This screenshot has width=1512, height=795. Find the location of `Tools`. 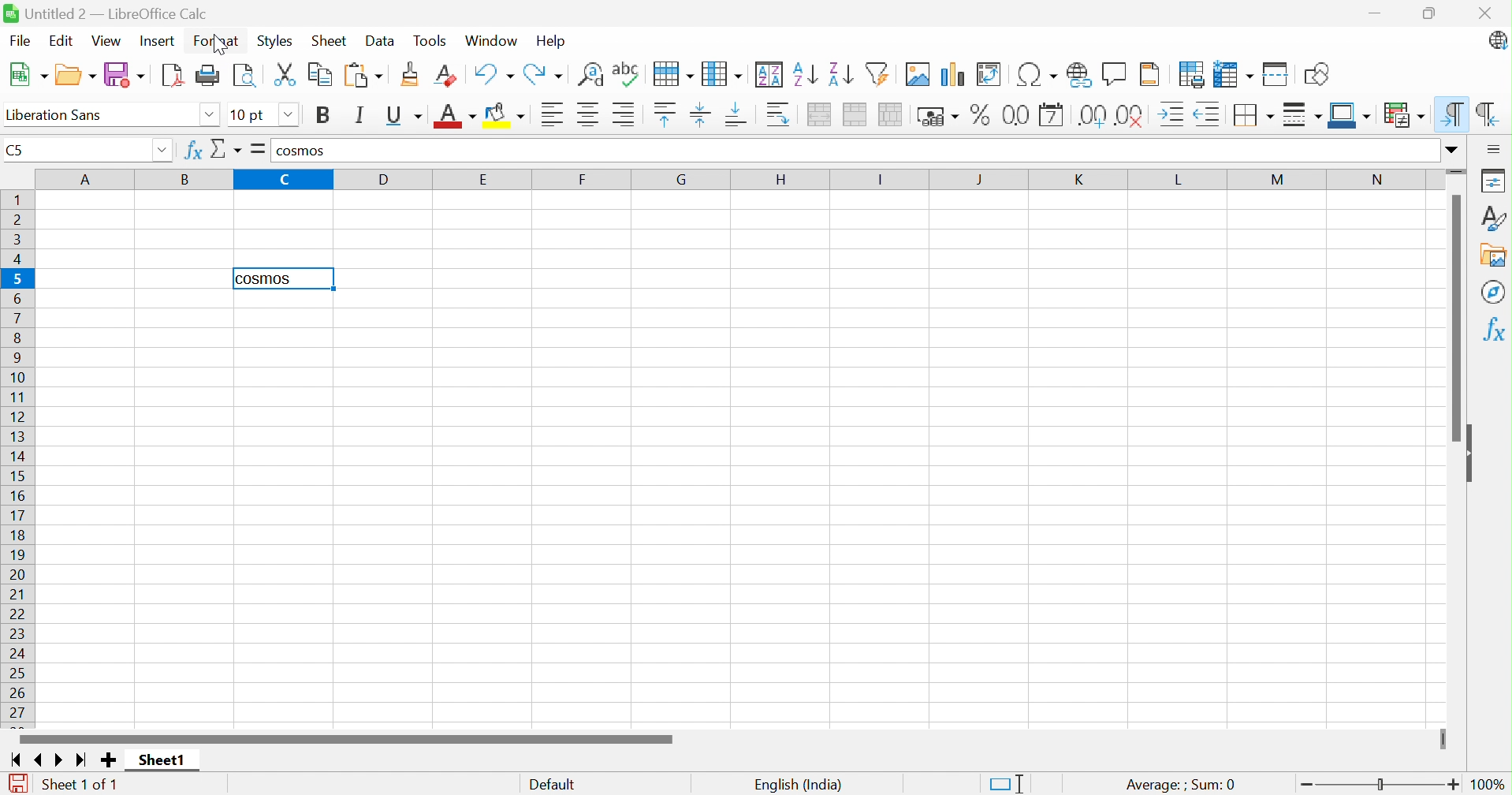

Tools is located at coordinates (430, 40).